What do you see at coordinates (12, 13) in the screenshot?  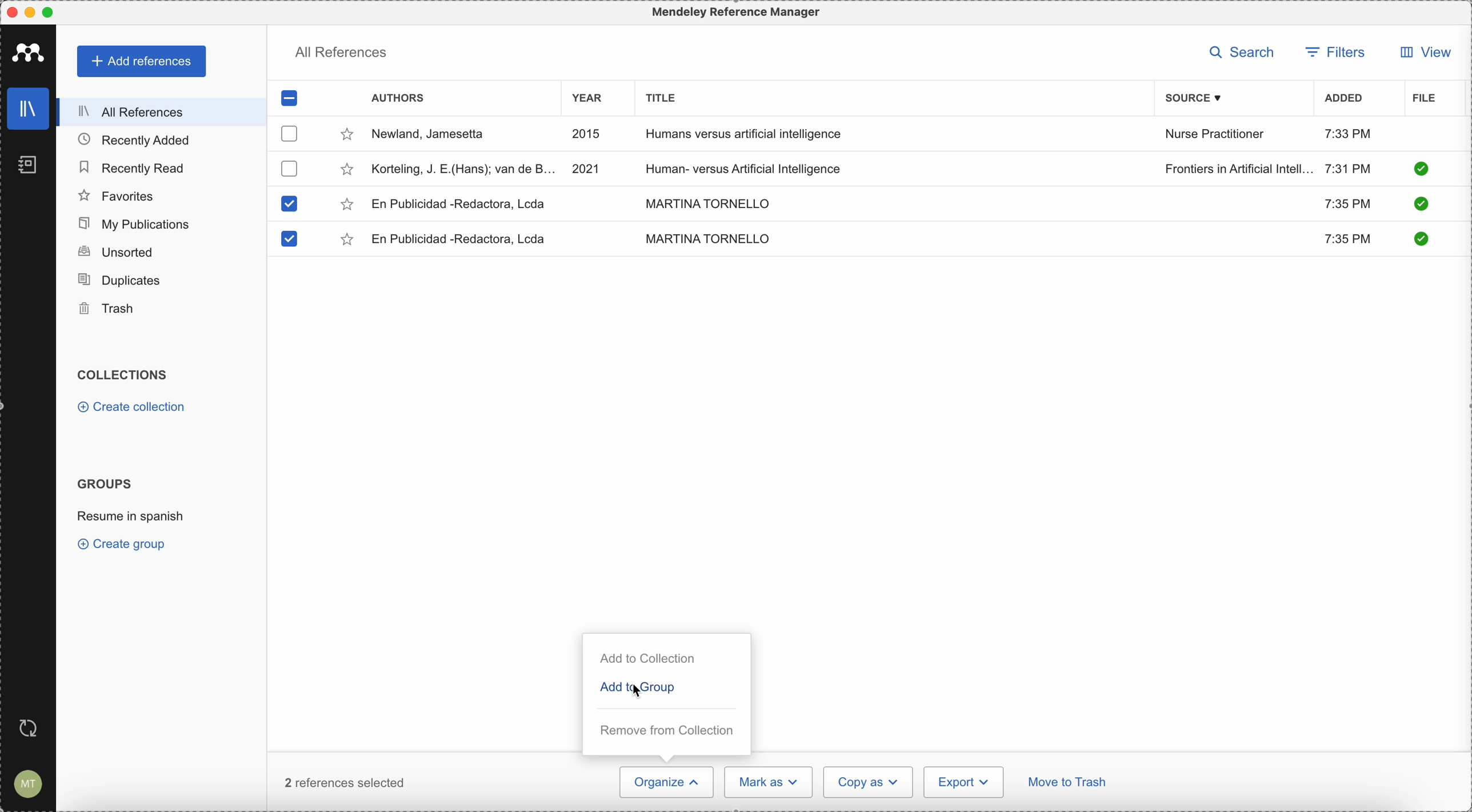 I see `close program` at bounding box center [12, 13].